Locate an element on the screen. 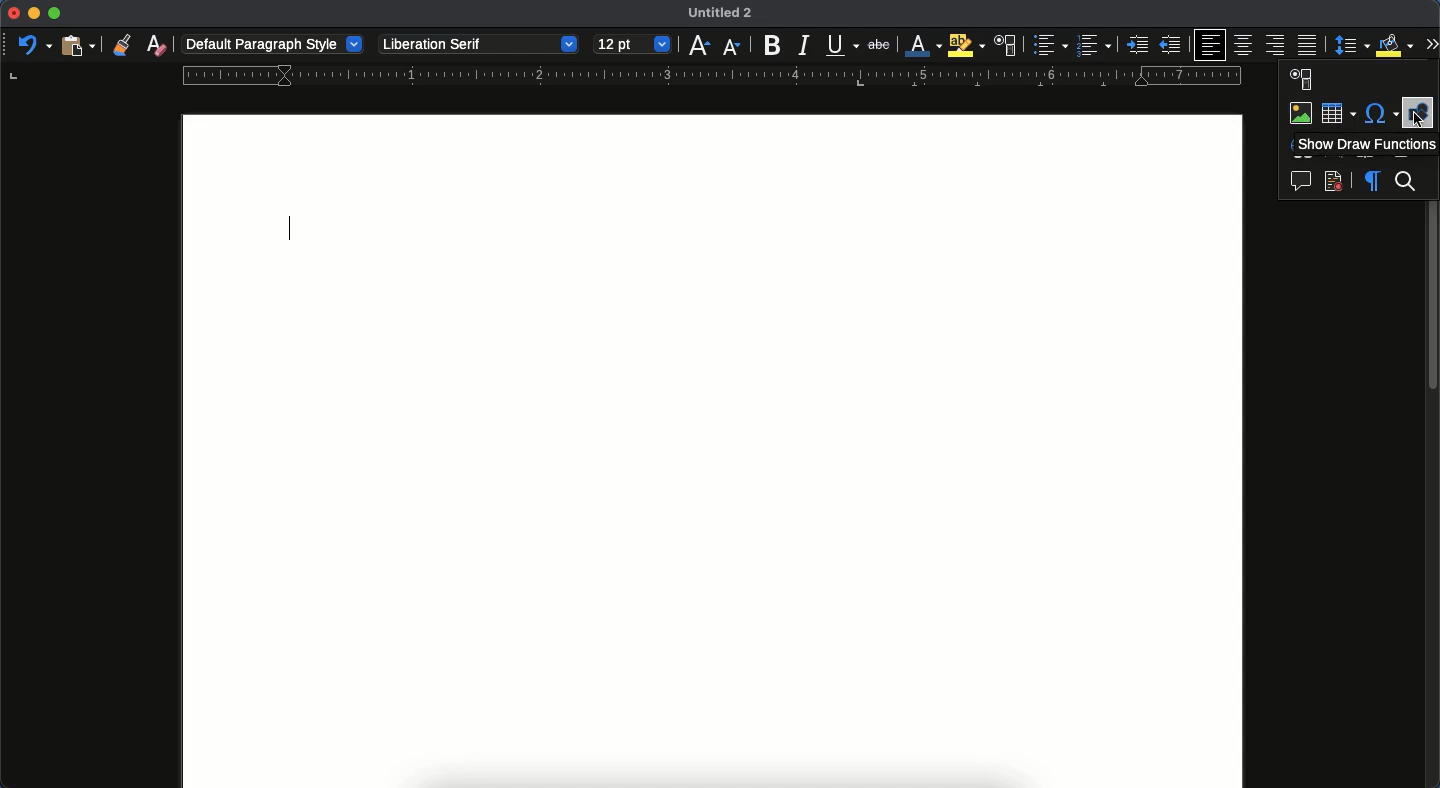 This screenshot has width=1440, height=788. bold is located at coordinates (771, 44).